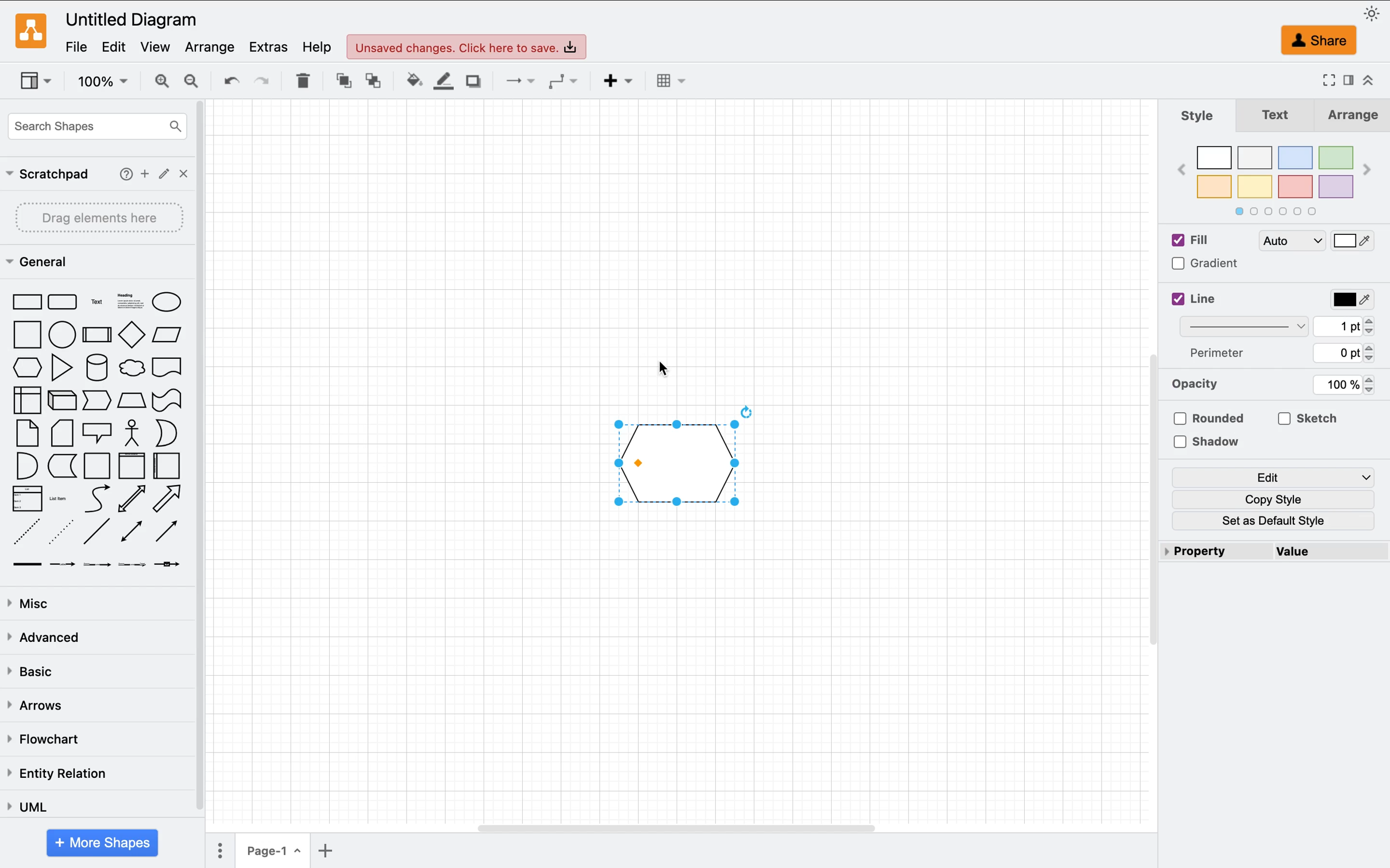  What do you see at coordinates (95, 433) in the screenshot?
I see `callout` at bounding box center [95, 433].